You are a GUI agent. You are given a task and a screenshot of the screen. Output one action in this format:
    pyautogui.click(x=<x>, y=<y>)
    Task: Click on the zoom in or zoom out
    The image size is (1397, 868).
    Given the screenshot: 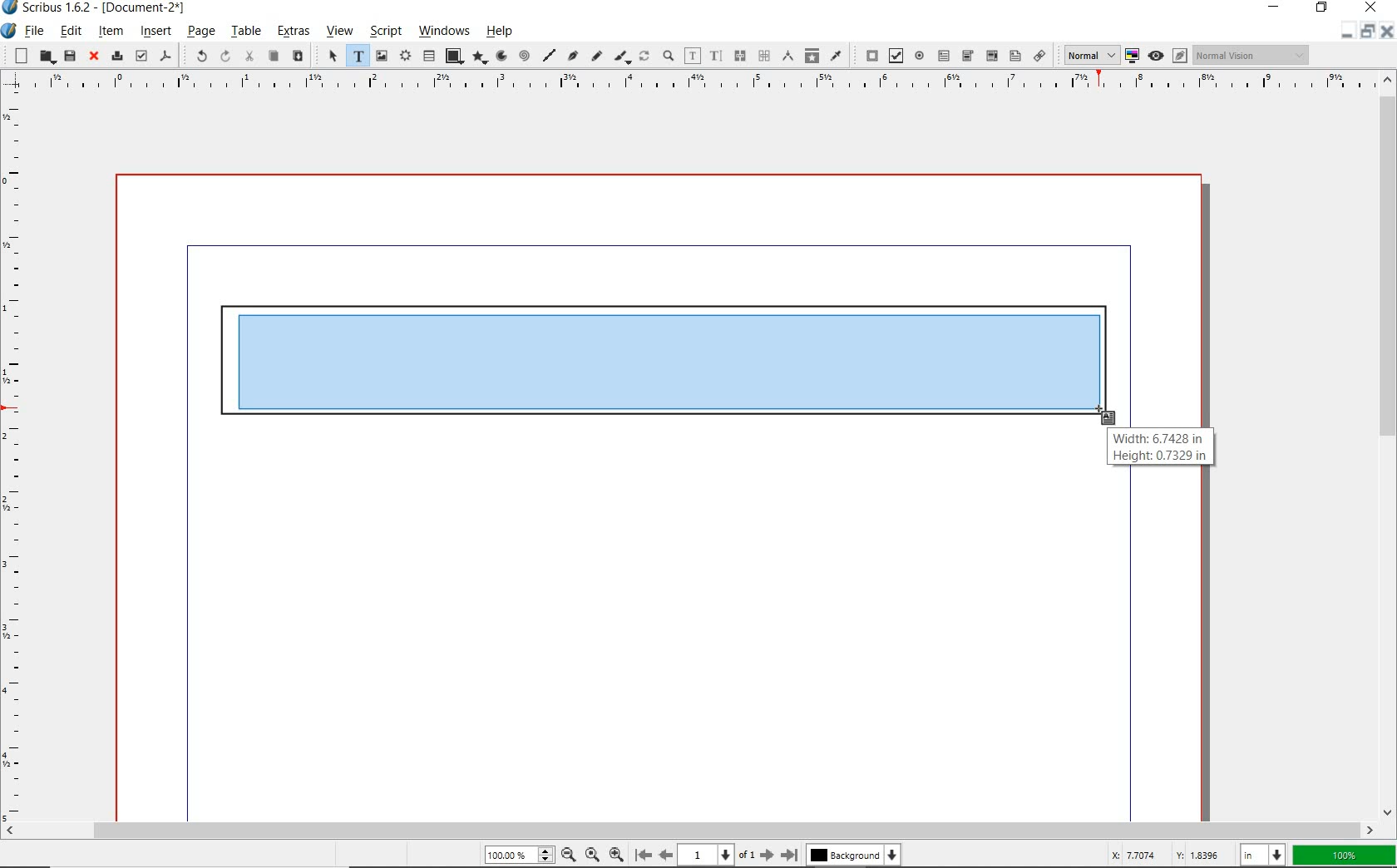 What is the action you would take?
    pyautogui.click(x=668, y=56)
    